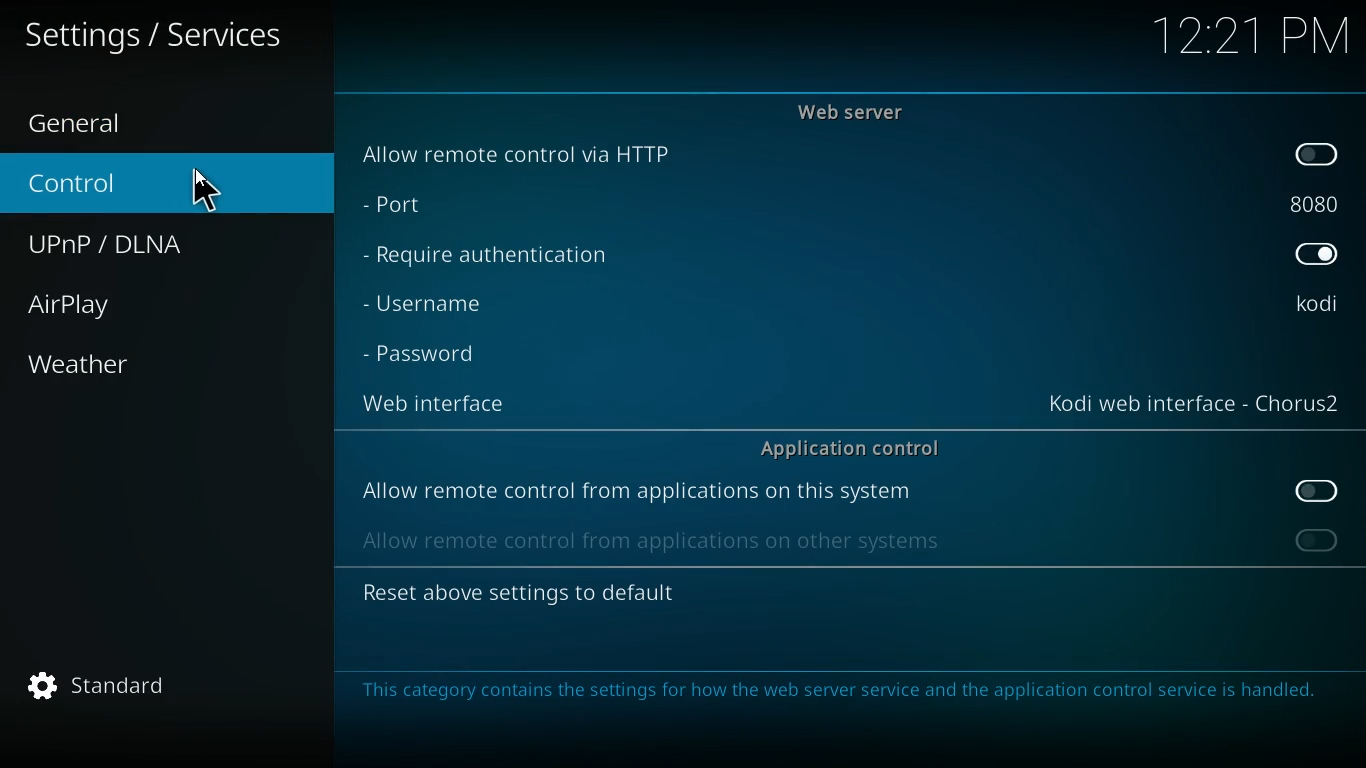 Image resolution: width=1366 pixels, height=768 pixels. I want to click on on, so click(1316, 252).